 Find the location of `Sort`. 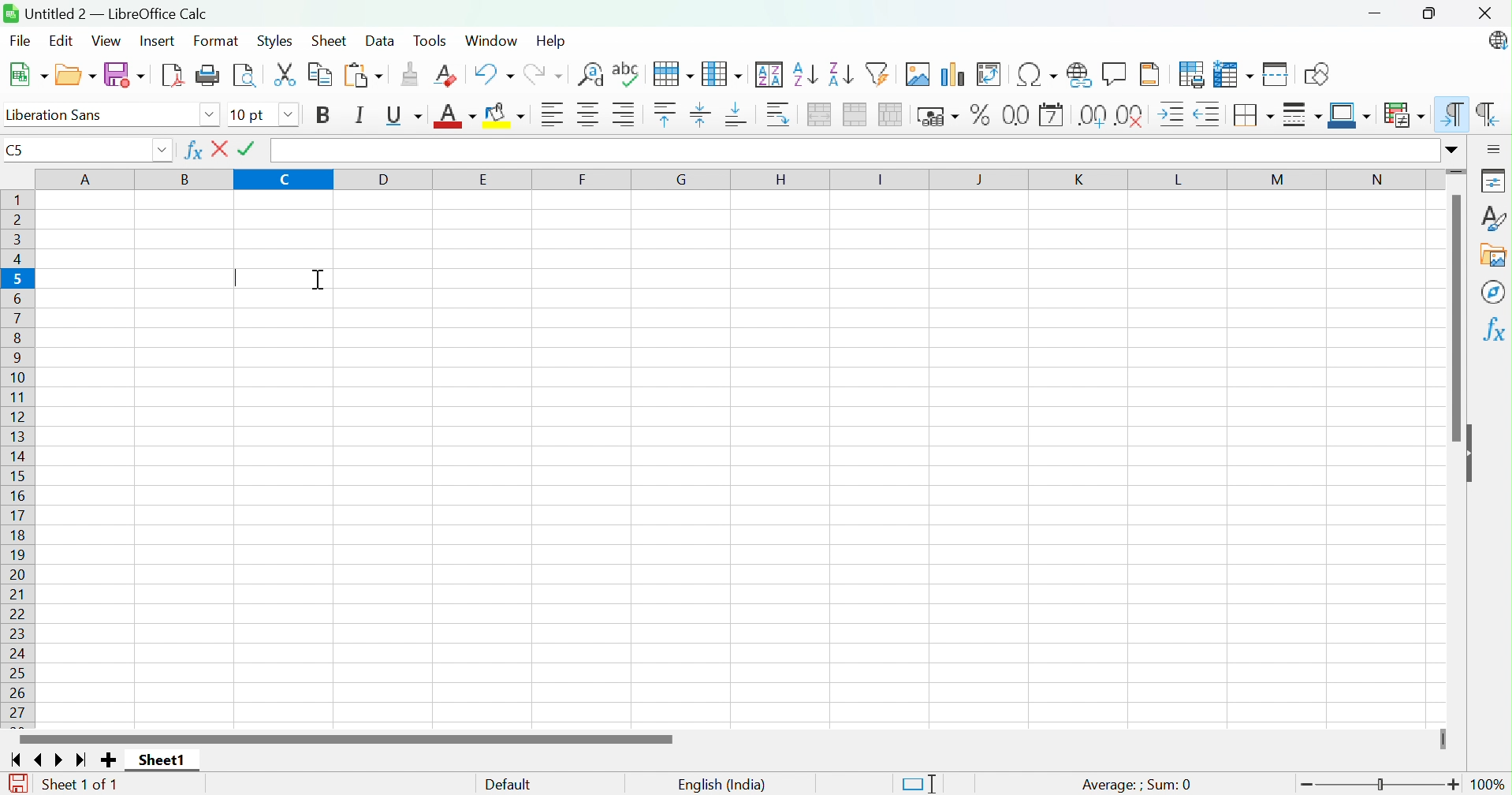

Sort is located at coordinates (770, 75).